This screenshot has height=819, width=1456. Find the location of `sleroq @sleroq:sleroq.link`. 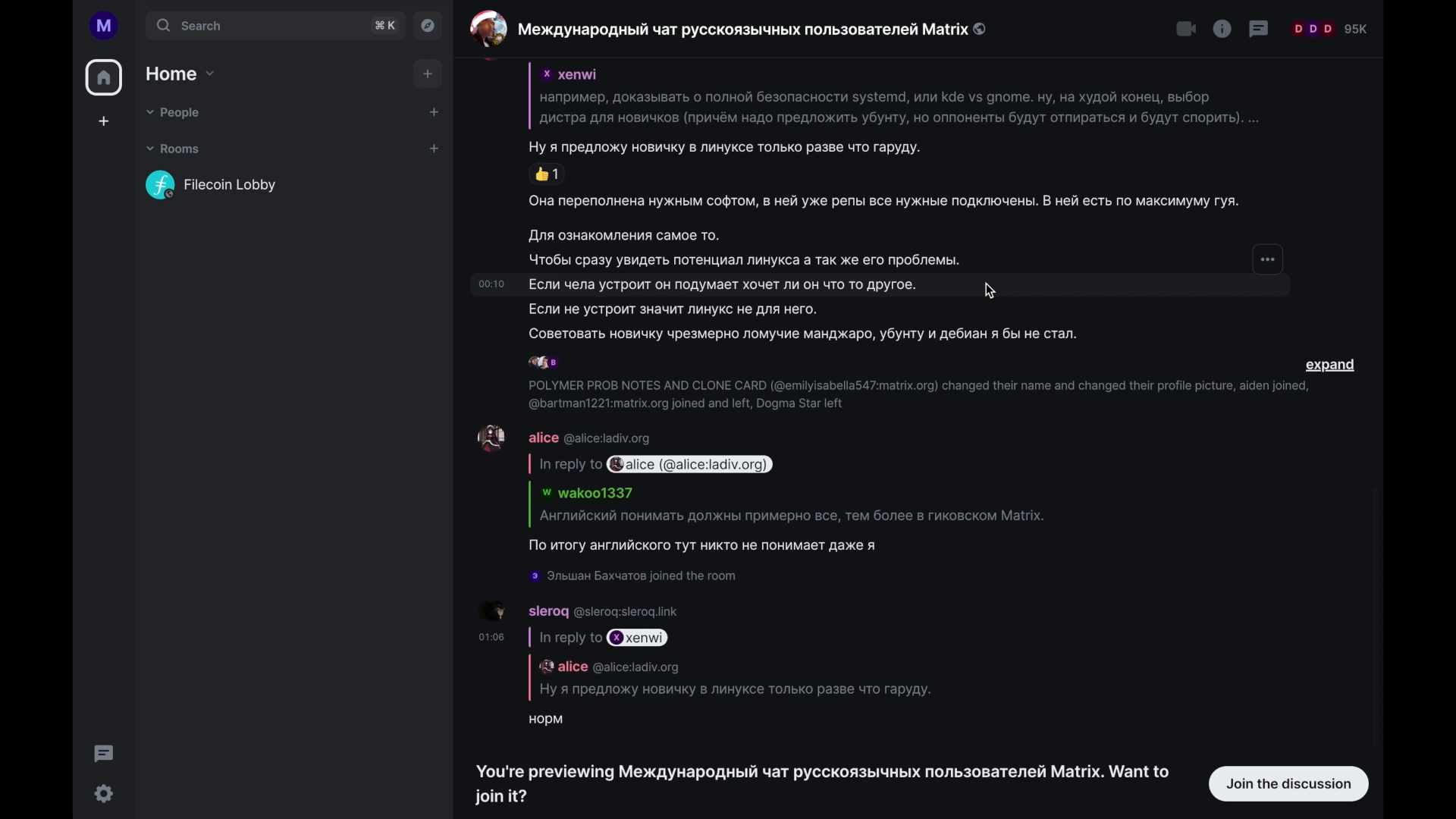

sleroq @sleroq:sleroq.link is located at coordinates (603, 612).